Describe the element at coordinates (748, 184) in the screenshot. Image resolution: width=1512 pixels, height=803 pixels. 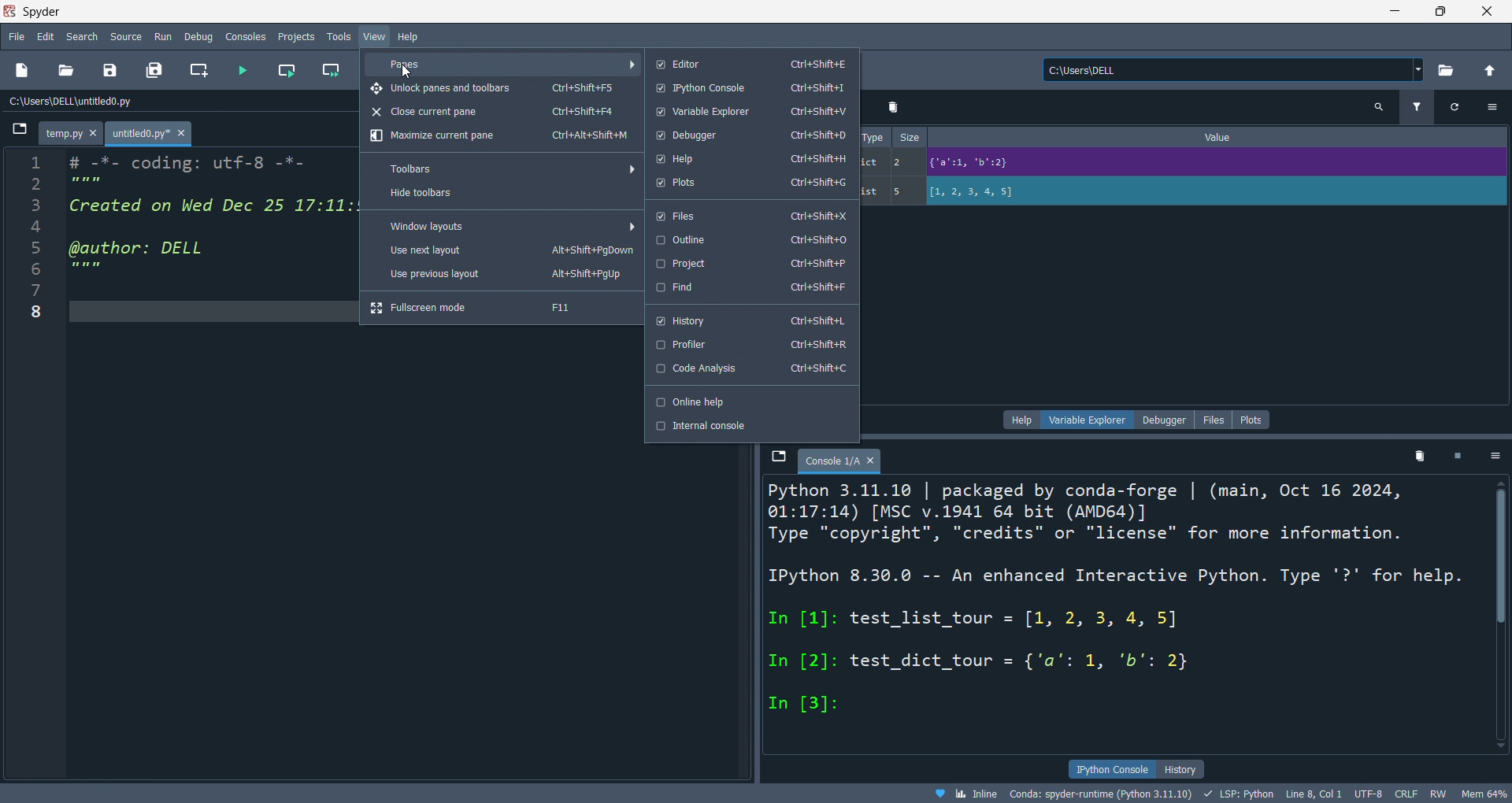
I see `plots` at that location.